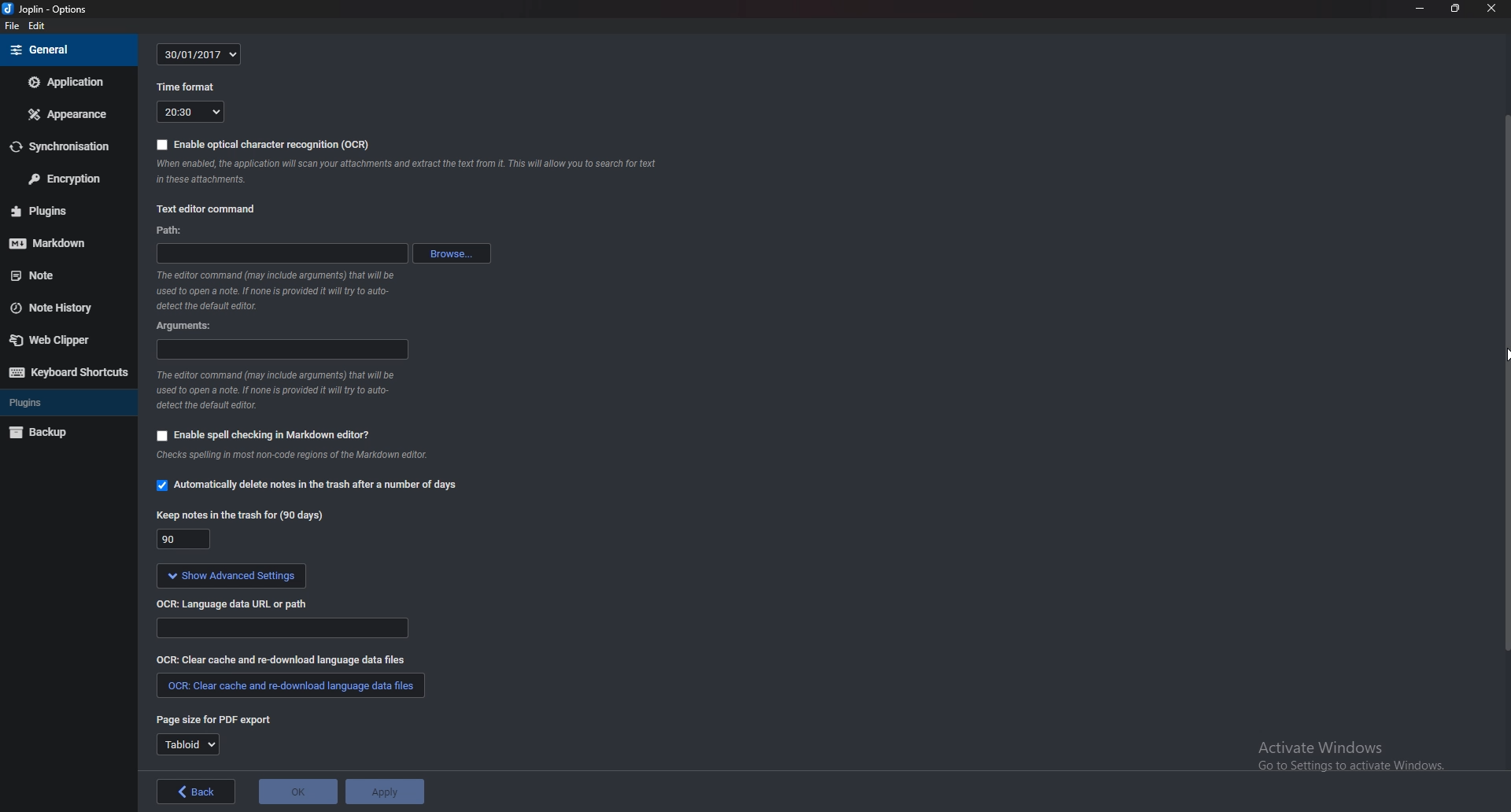  I want to click on edit, so click(39, 26).